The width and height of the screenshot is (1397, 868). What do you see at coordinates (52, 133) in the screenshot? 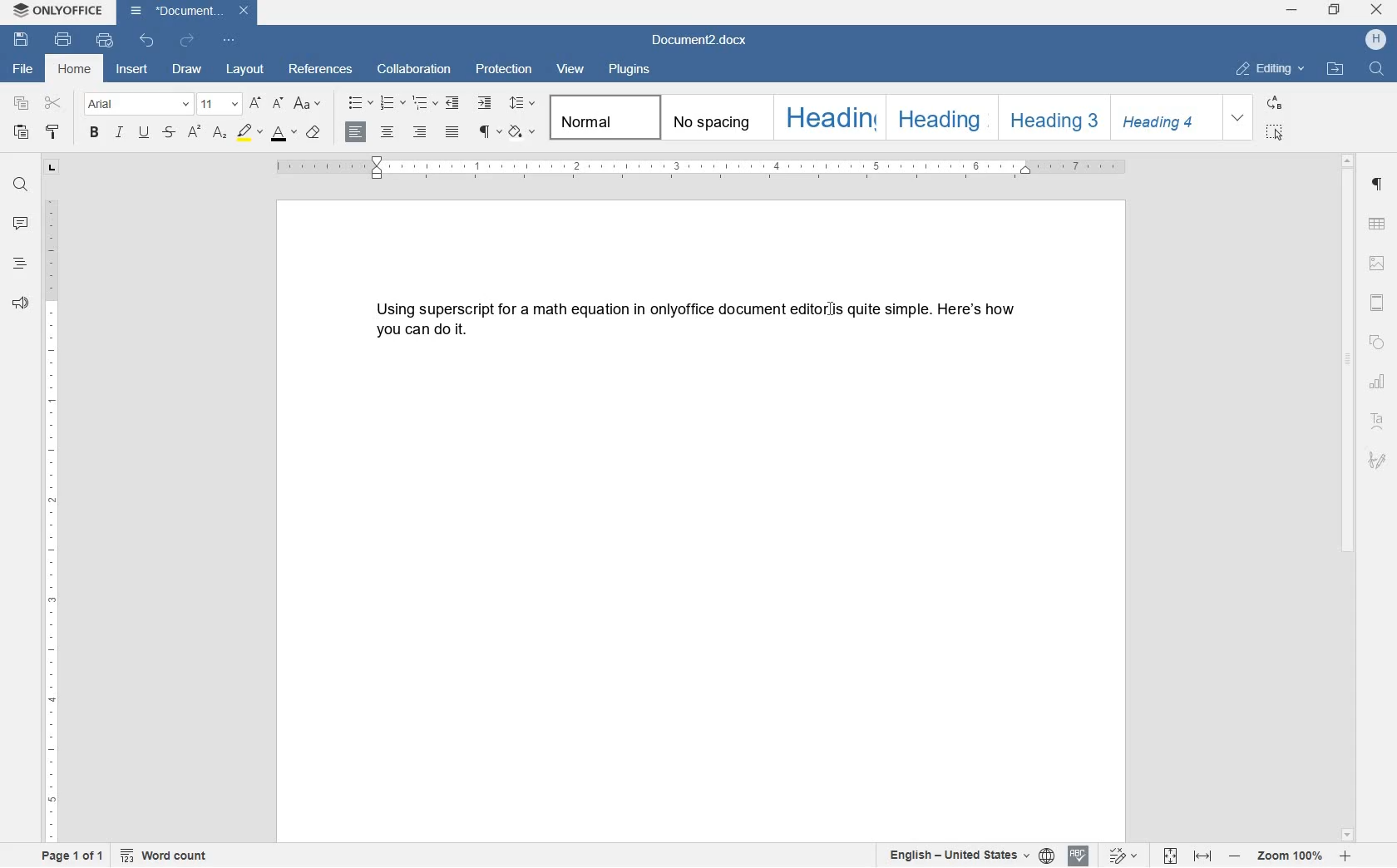
I see `copy style` at bounding box center [52, 133].